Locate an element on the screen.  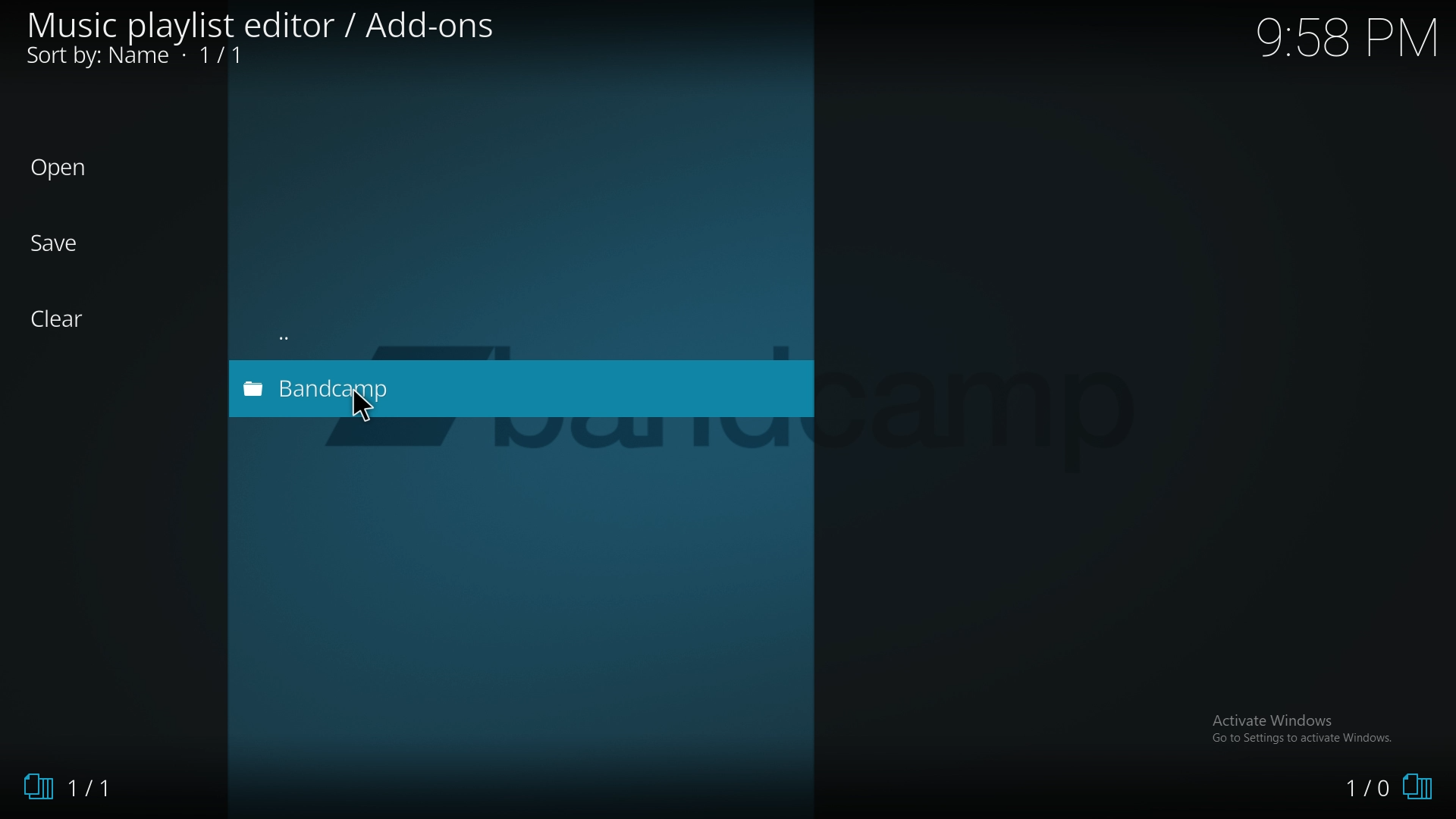
1/1 is located at coordinates (76, 792).